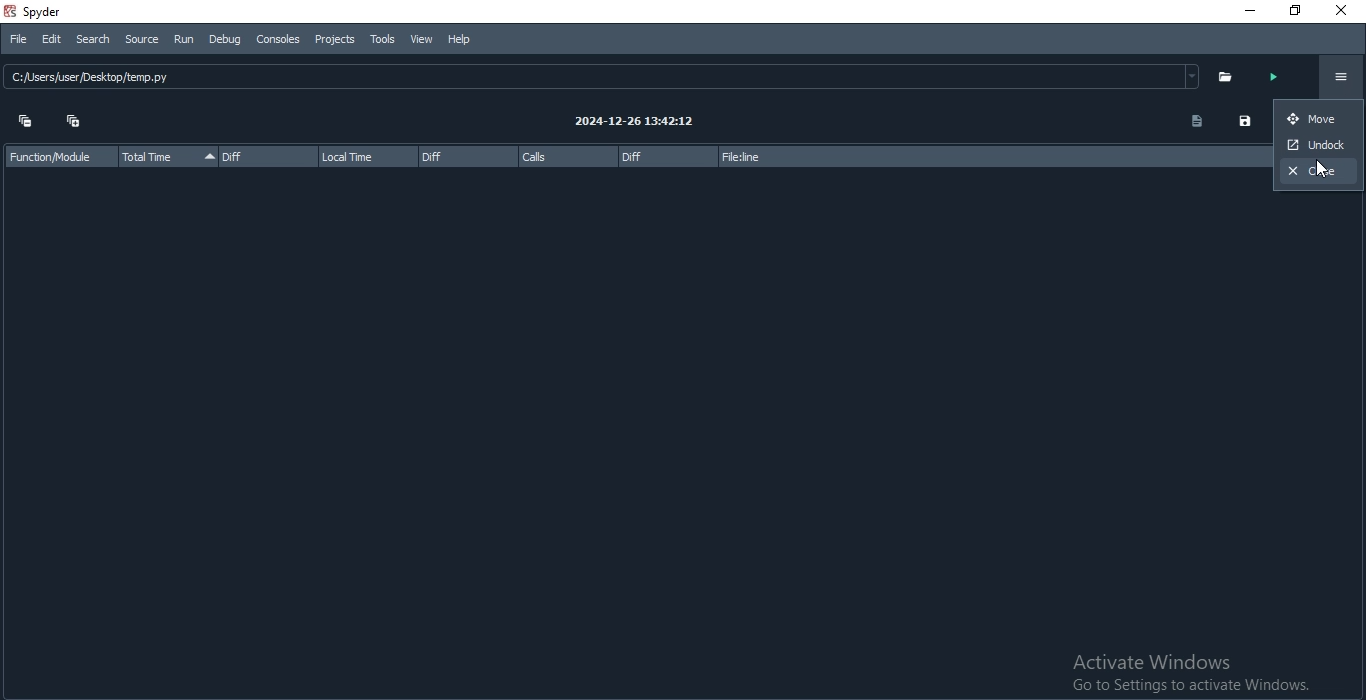 The image size is (1366, 700). I want to click on collapse, so click(24, 122).